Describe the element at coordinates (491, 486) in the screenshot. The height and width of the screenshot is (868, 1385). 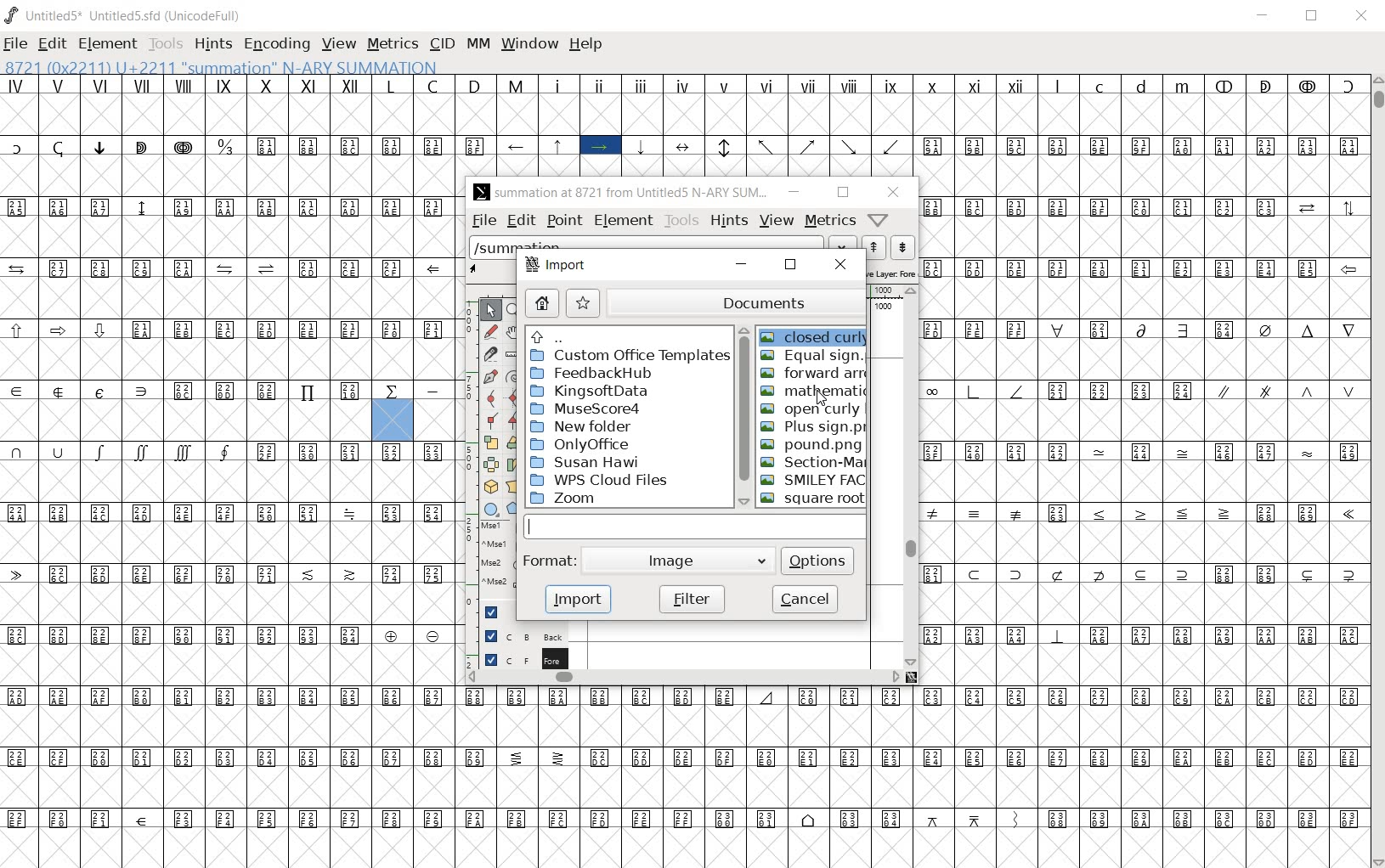
I see `rotate the selection in 3D and project back to plane` at that location.